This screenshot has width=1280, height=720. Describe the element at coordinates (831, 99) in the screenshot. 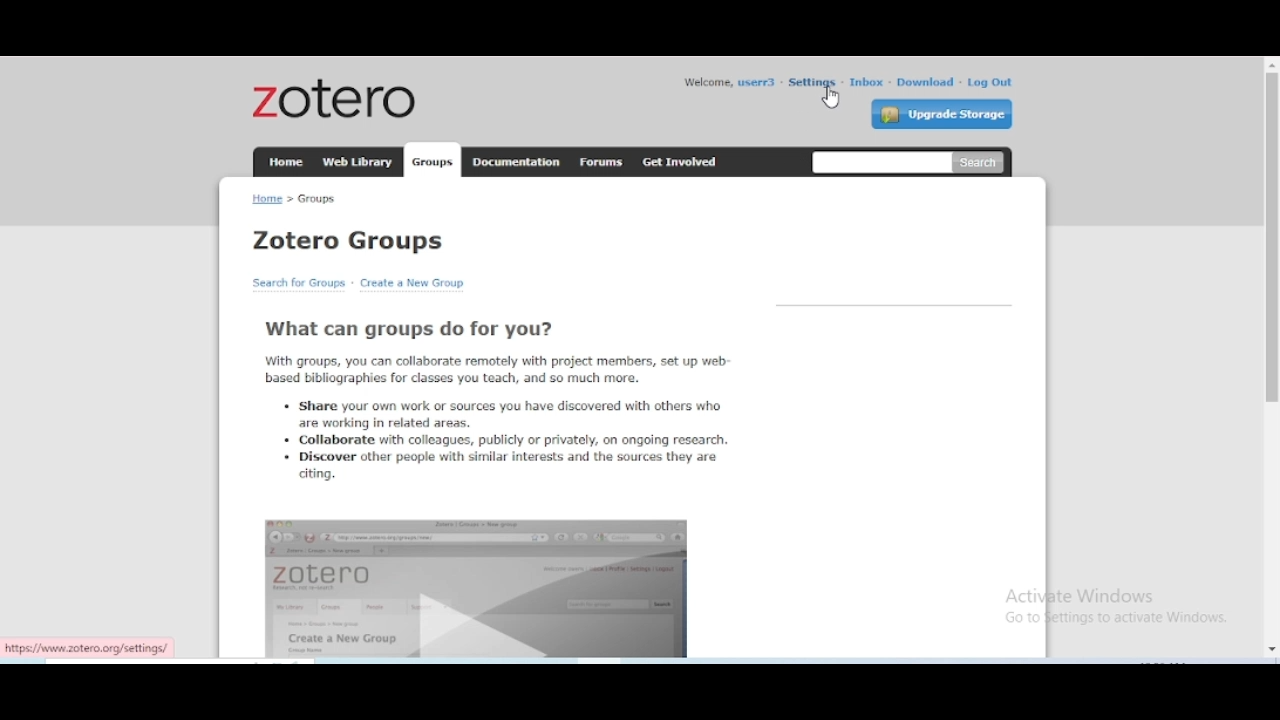

I see `cursor` at that location.